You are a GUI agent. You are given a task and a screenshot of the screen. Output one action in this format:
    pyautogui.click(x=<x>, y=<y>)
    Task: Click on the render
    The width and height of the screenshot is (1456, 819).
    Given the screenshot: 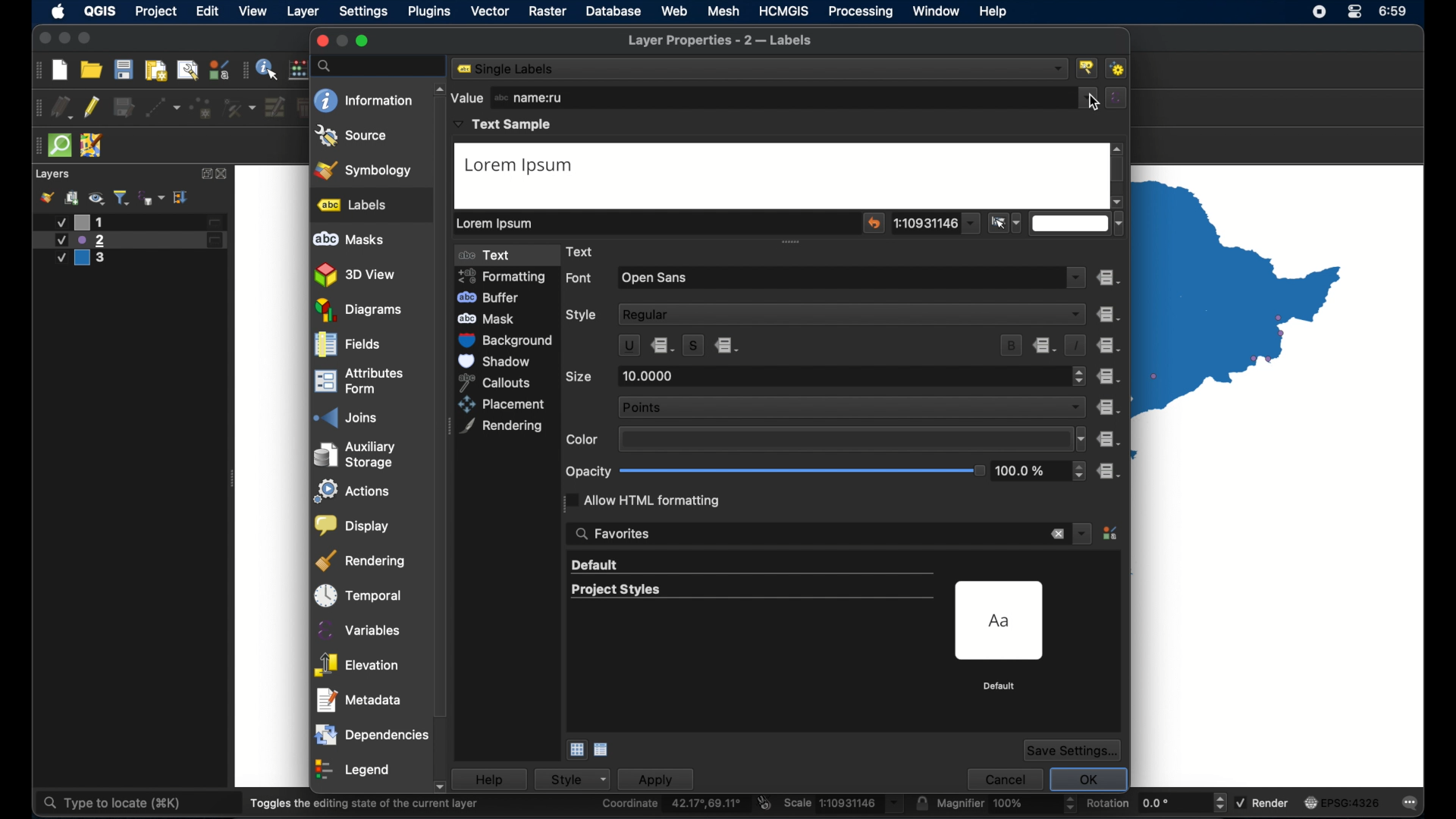 What is the action you would take?
    pyautogui.click(x=1262, y=801)
    